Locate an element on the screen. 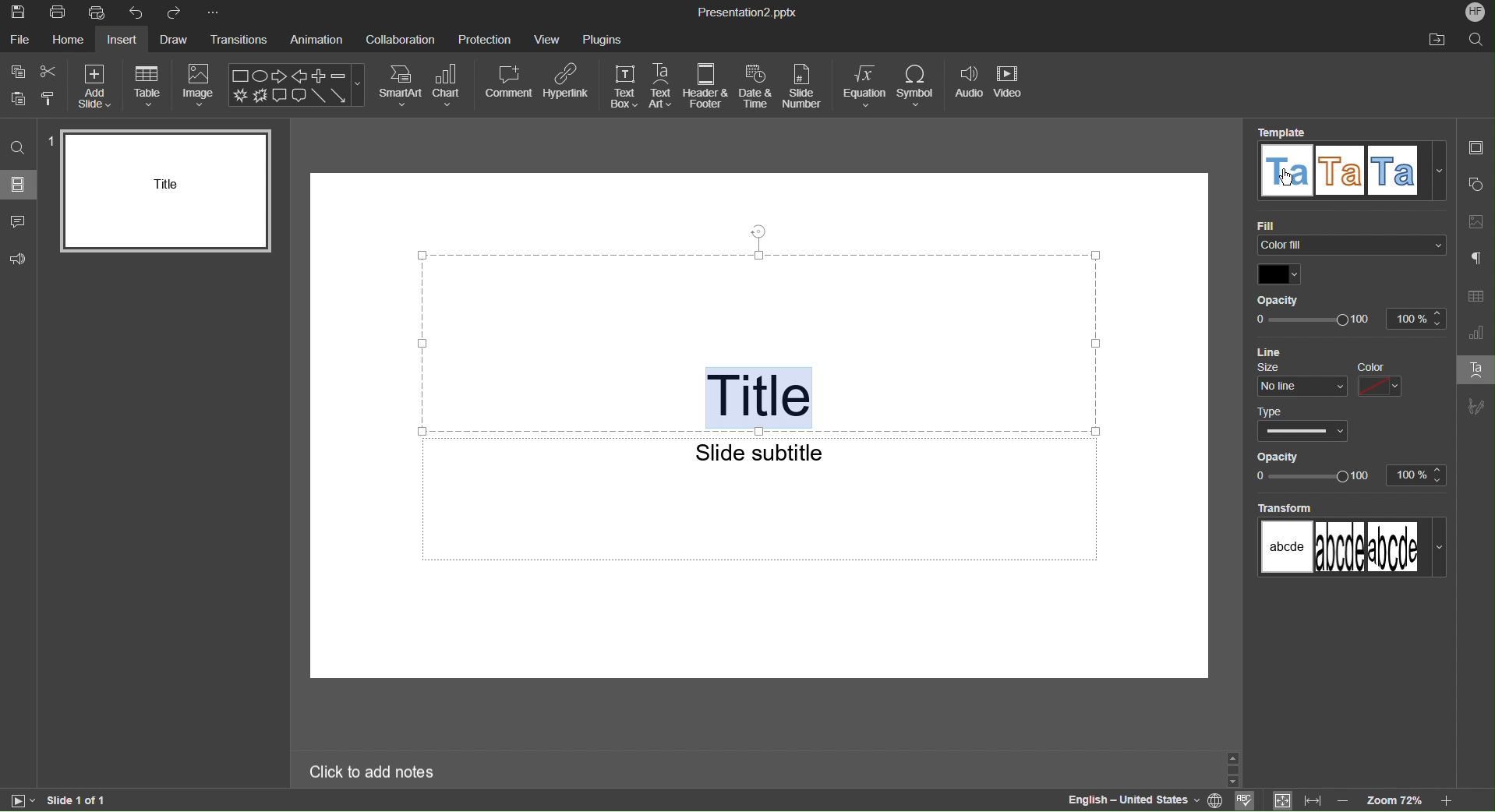 This screenshot has height=812, width=1495. Transform is located at coordinates (1348, 544).